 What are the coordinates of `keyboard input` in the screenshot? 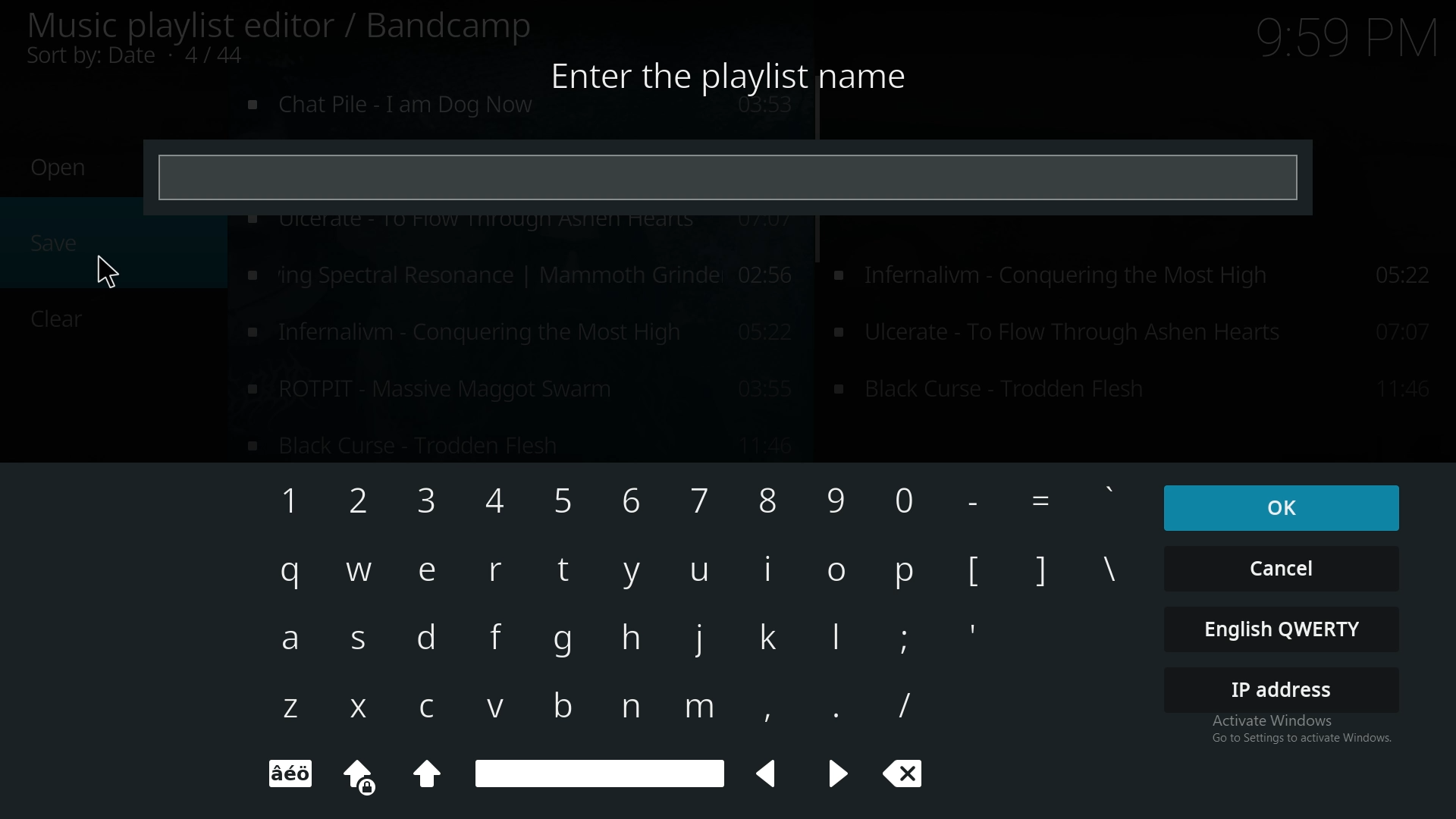 It's located at (498, 709).